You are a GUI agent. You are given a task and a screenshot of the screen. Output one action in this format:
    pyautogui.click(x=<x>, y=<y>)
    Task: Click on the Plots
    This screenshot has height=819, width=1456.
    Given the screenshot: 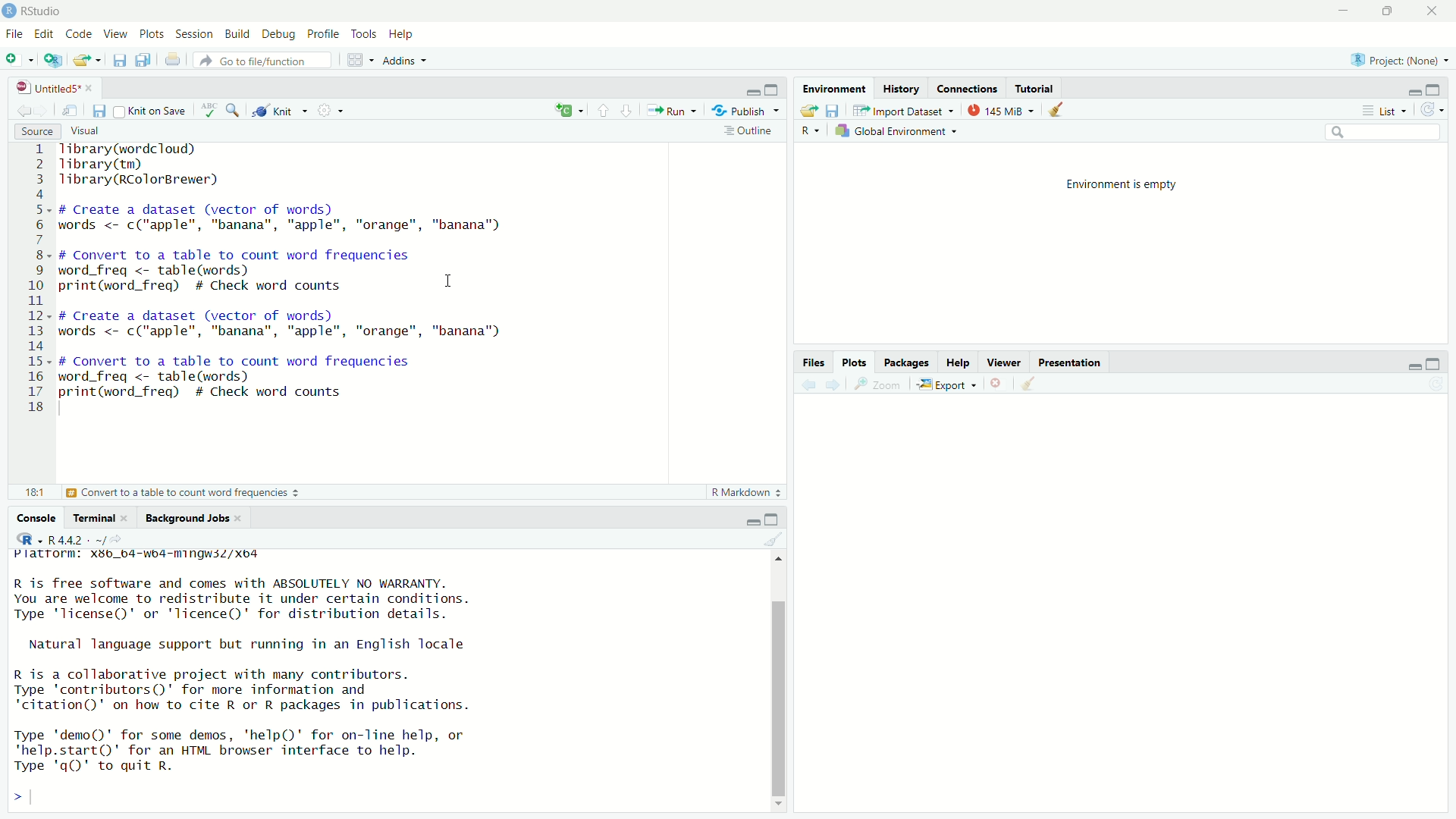 What is the action you would take?
    pyautogui.click(x=152, y=34)
    